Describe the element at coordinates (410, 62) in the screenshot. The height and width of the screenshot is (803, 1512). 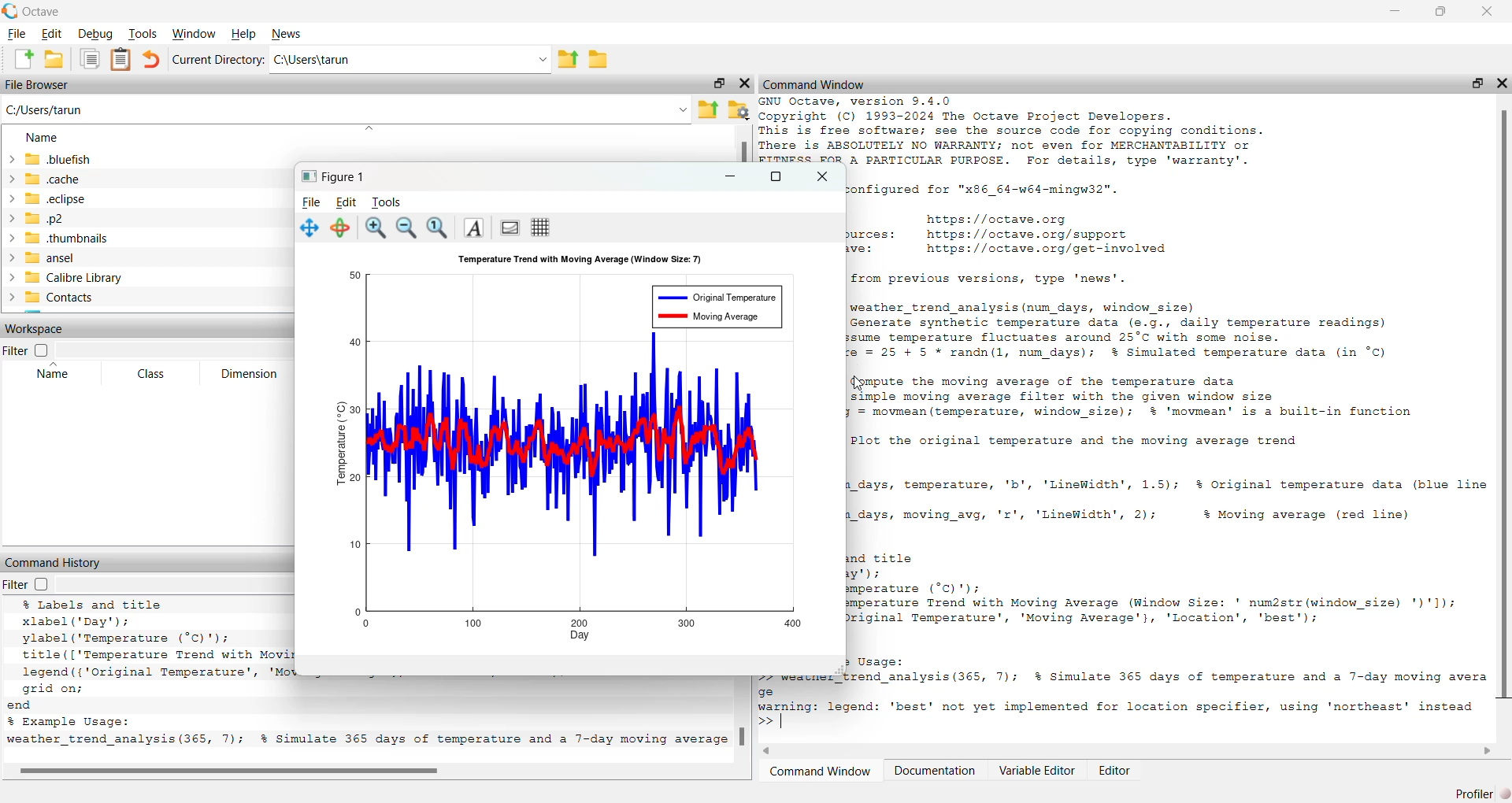
I see `C:\Users\tarun` at that location.